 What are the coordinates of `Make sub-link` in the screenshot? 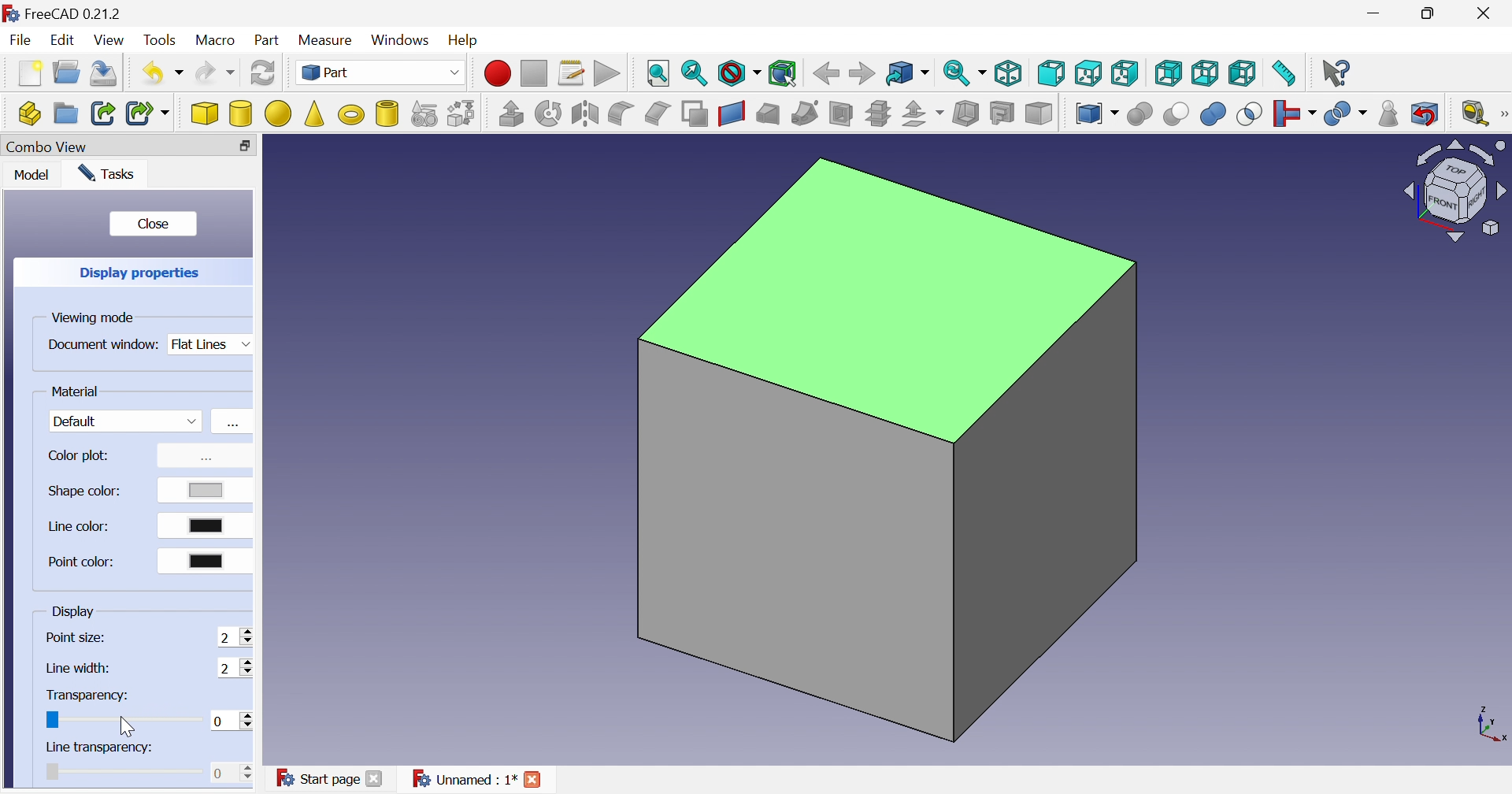 It's located at (150, 113).